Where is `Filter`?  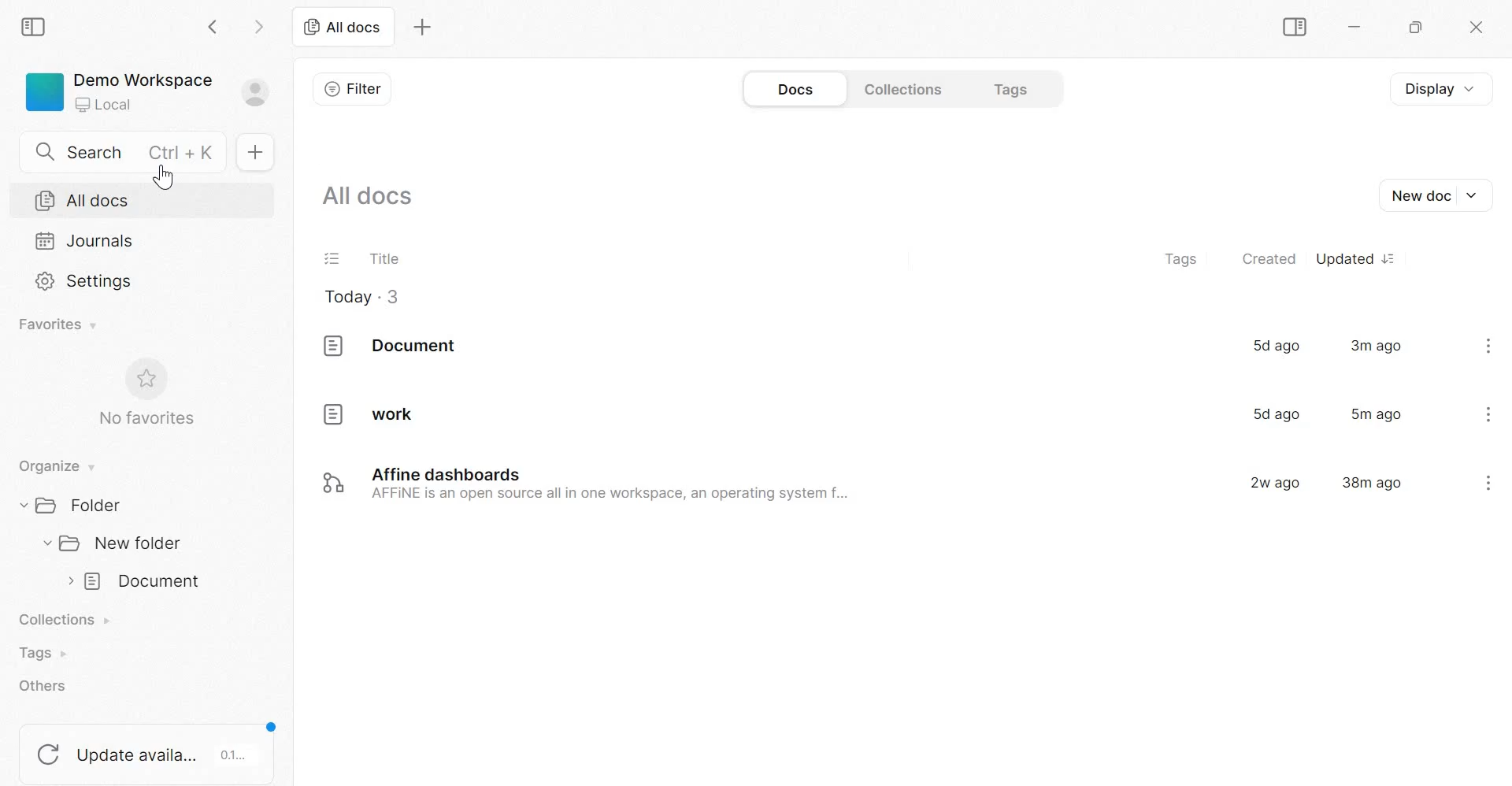 Filter is located at coordinates (352, 88).